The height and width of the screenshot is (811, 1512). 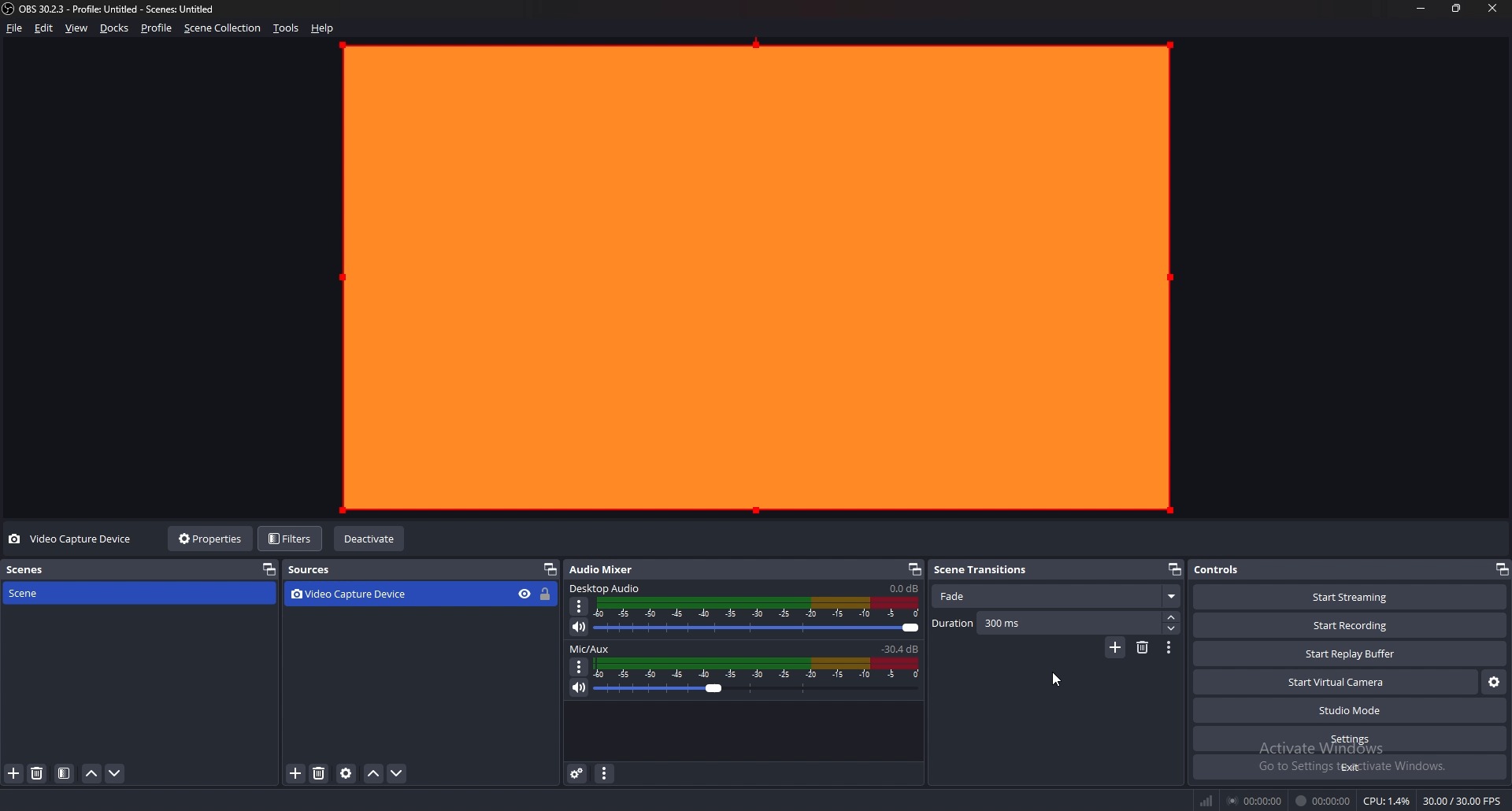 I want to click on duration, so click(x=1047, y=624).